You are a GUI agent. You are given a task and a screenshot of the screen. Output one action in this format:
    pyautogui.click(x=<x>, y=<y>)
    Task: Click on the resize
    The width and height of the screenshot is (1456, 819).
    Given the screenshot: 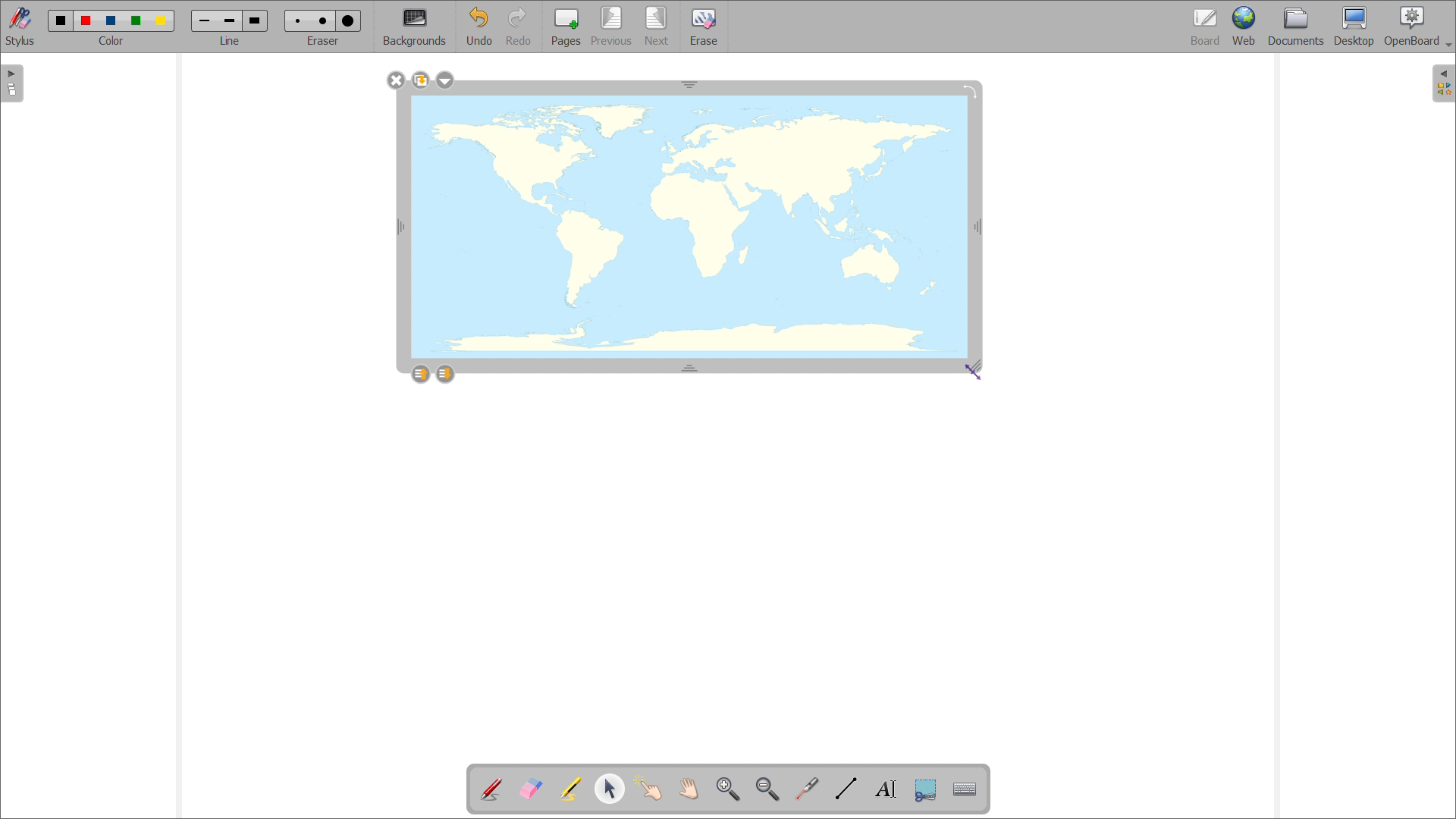 What is the action you would take?
    pyautogui.click(x=979, y=367)
    